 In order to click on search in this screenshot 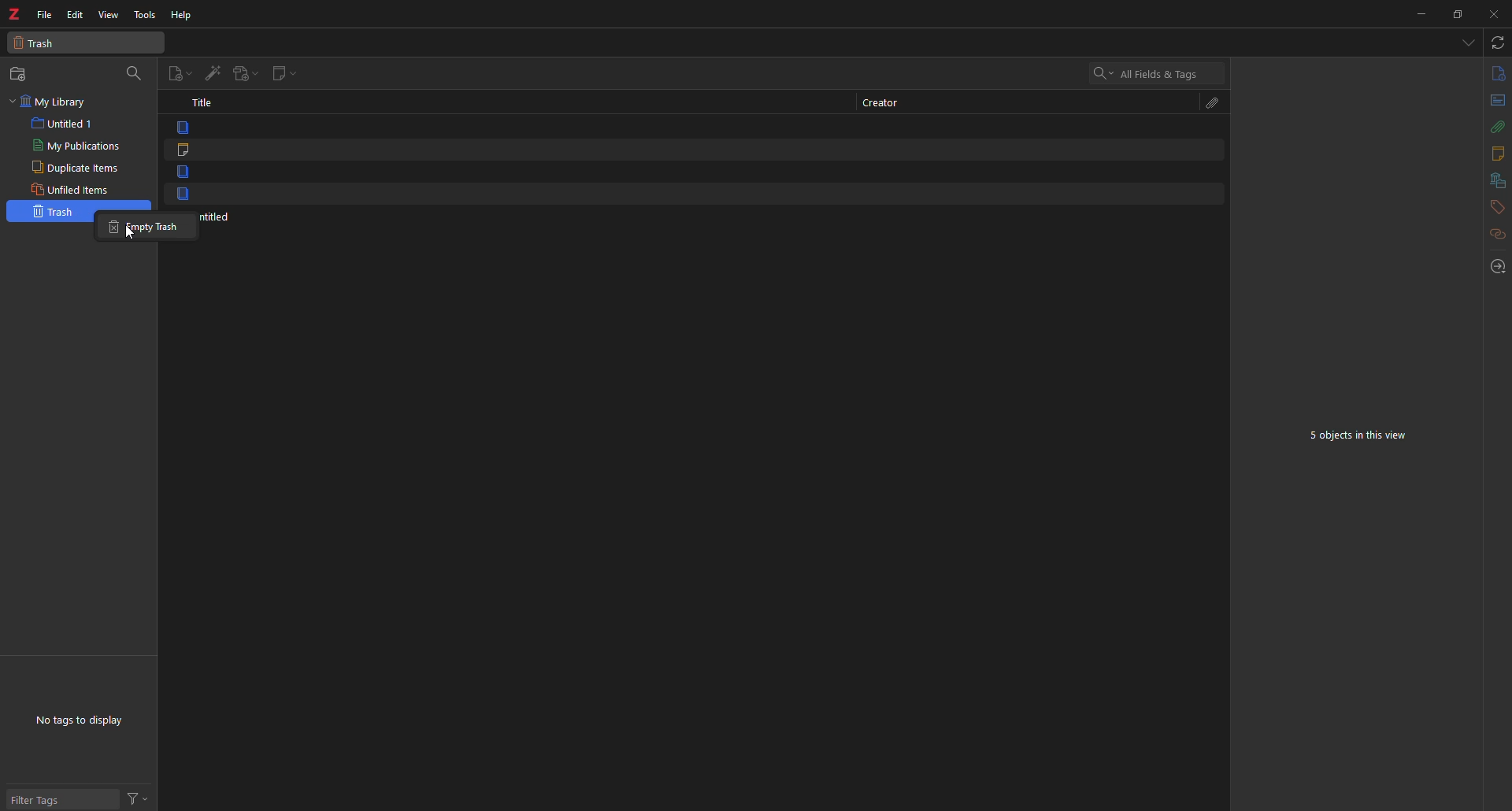, I will do `click(1153, 73)`.